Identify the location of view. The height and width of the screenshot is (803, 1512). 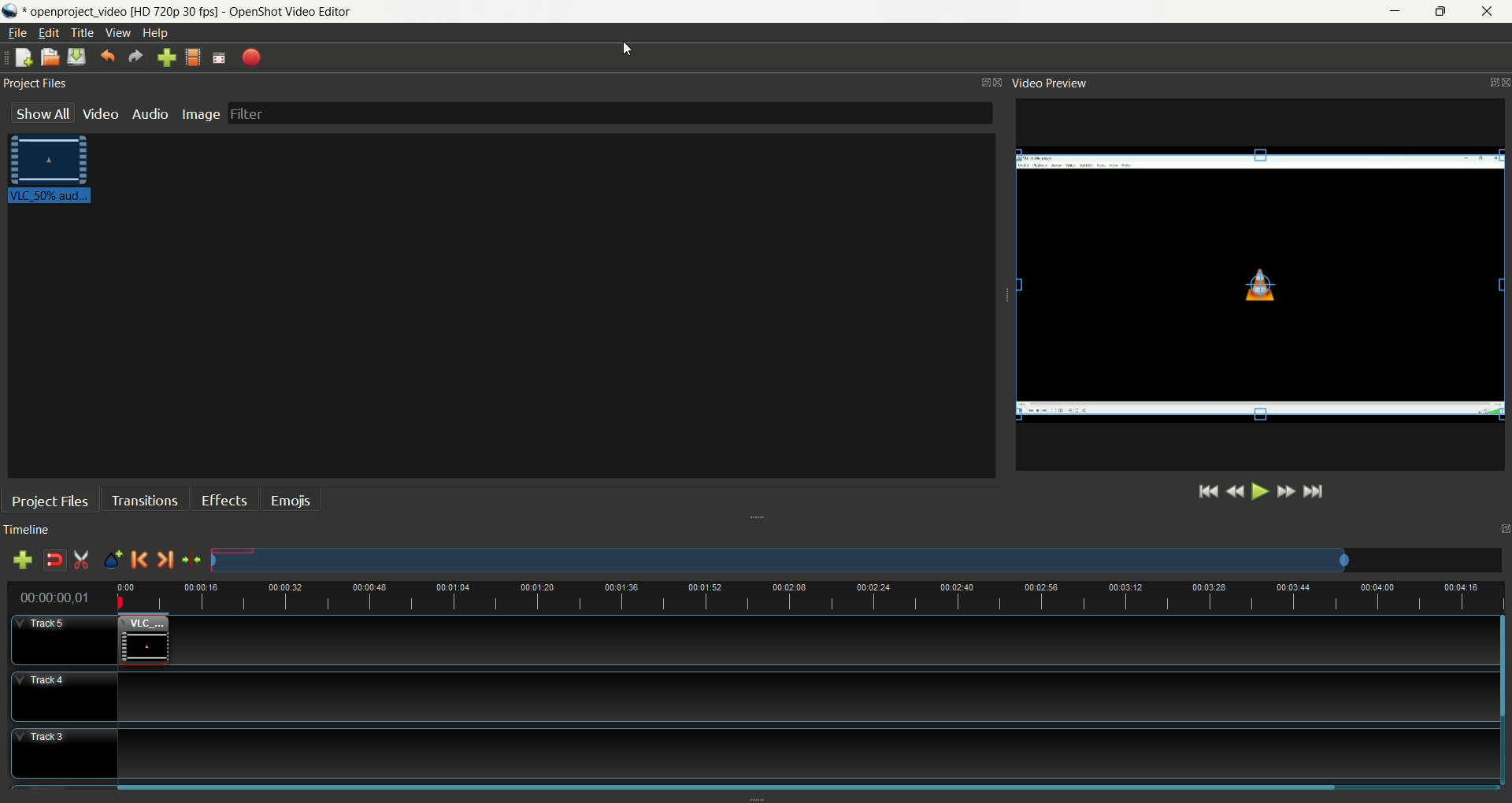
(119, 33).